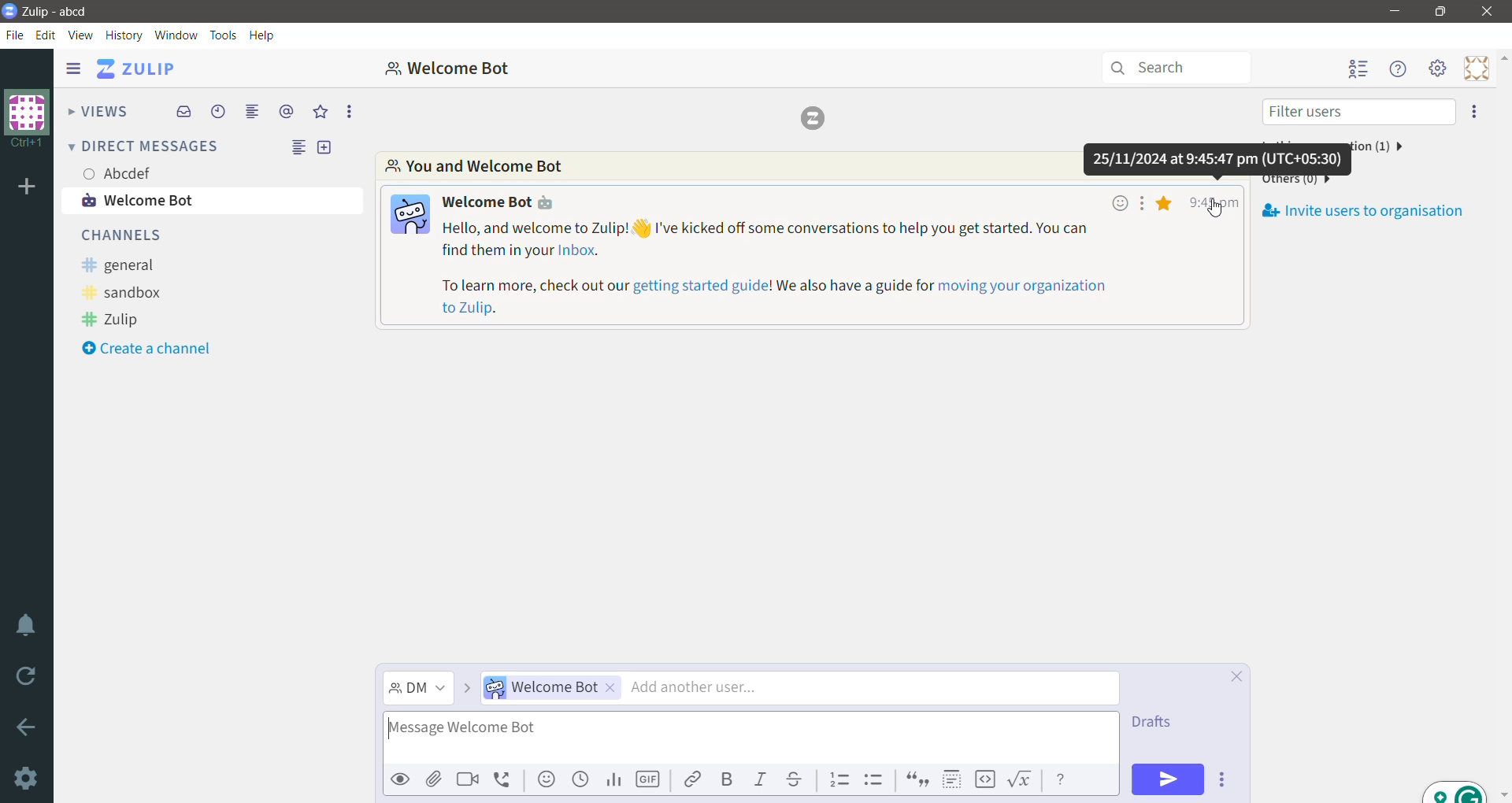  Describe the element at coordinates (875, 779) in the screenshot. I see `Bulleted list` at that location.